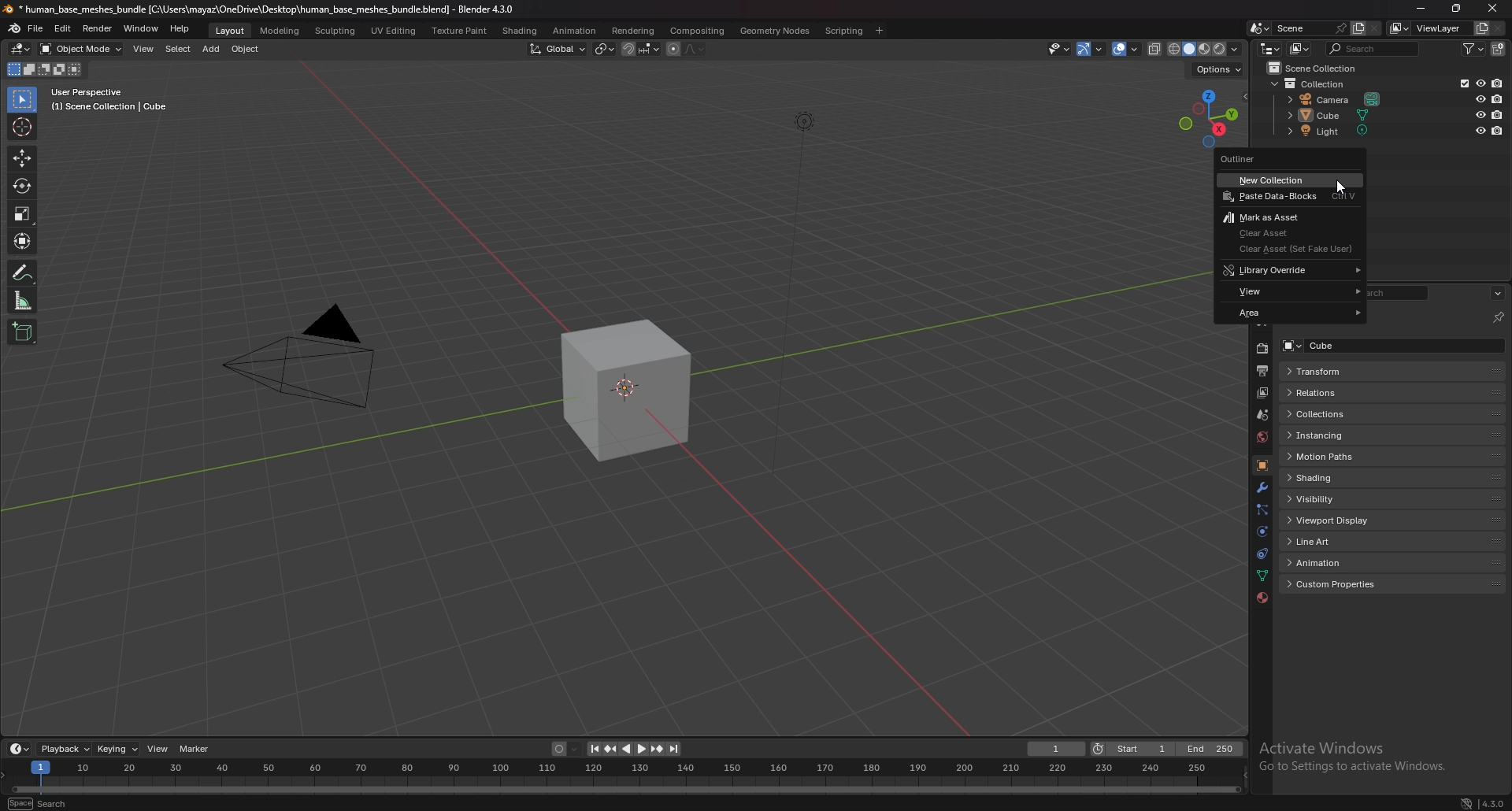  I want to click on camera, so click(1339, 98).